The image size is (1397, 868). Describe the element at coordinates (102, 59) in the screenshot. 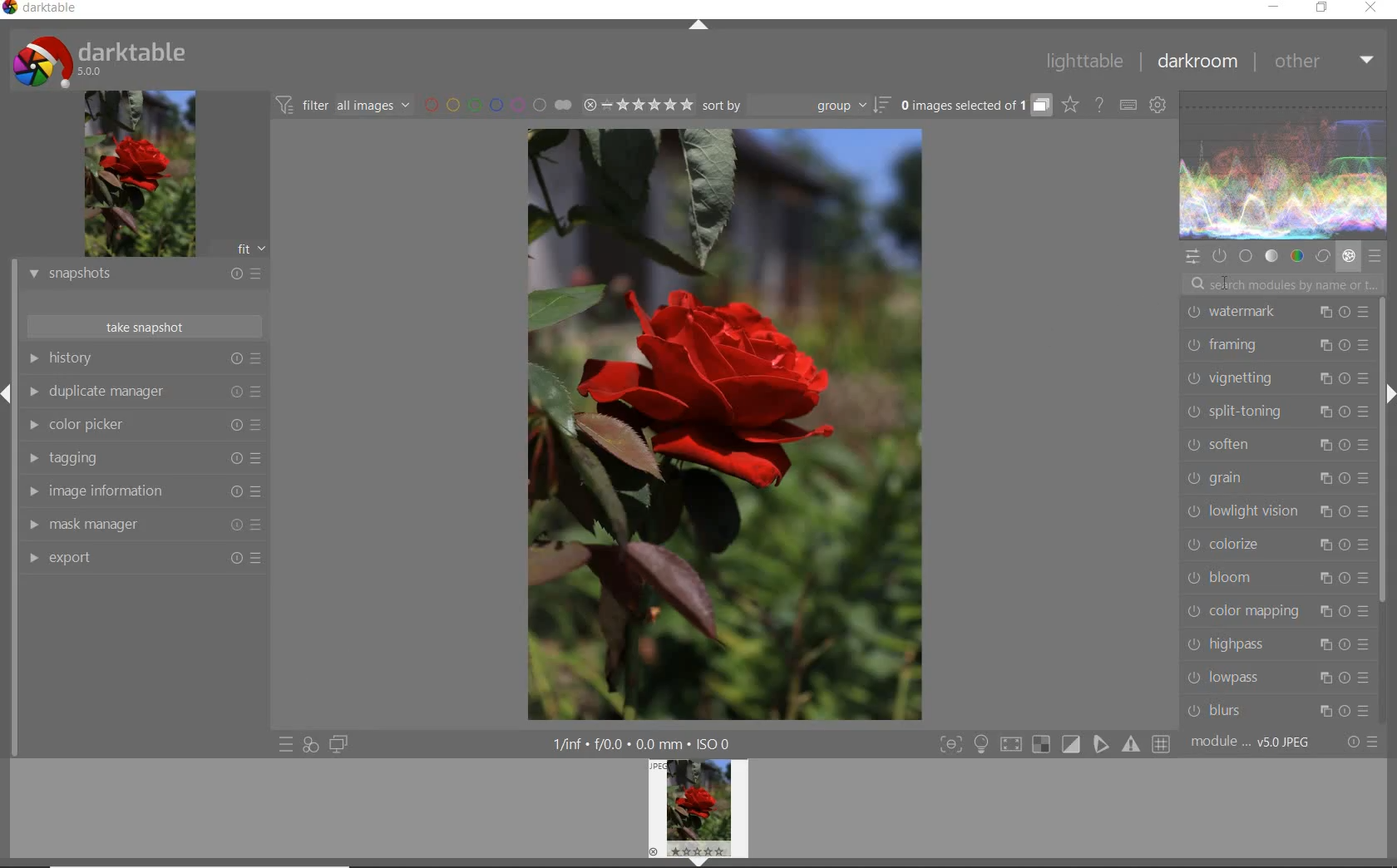

I see `system logo` at that location.